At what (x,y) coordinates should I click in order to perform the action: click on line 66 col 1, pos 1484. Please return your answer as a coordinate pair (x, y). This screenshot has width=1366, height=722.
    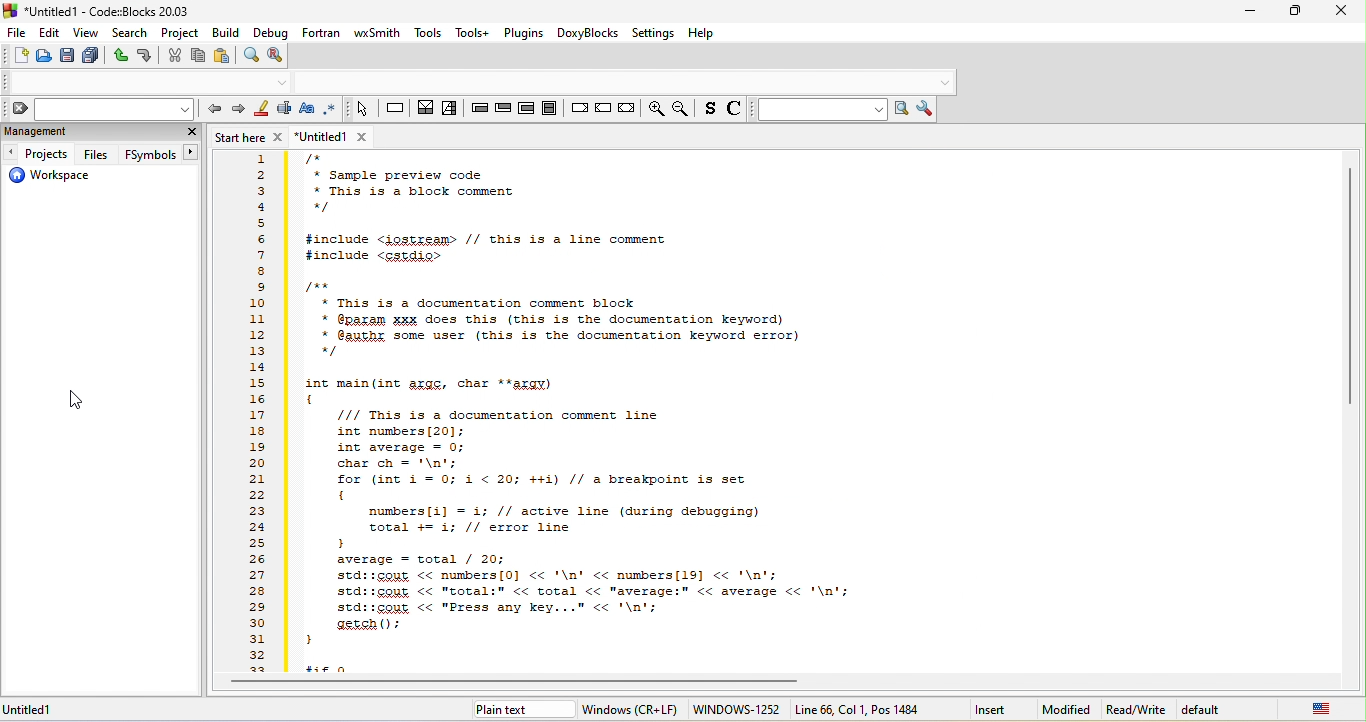
    Looking at the image, I should click on (860, 709).